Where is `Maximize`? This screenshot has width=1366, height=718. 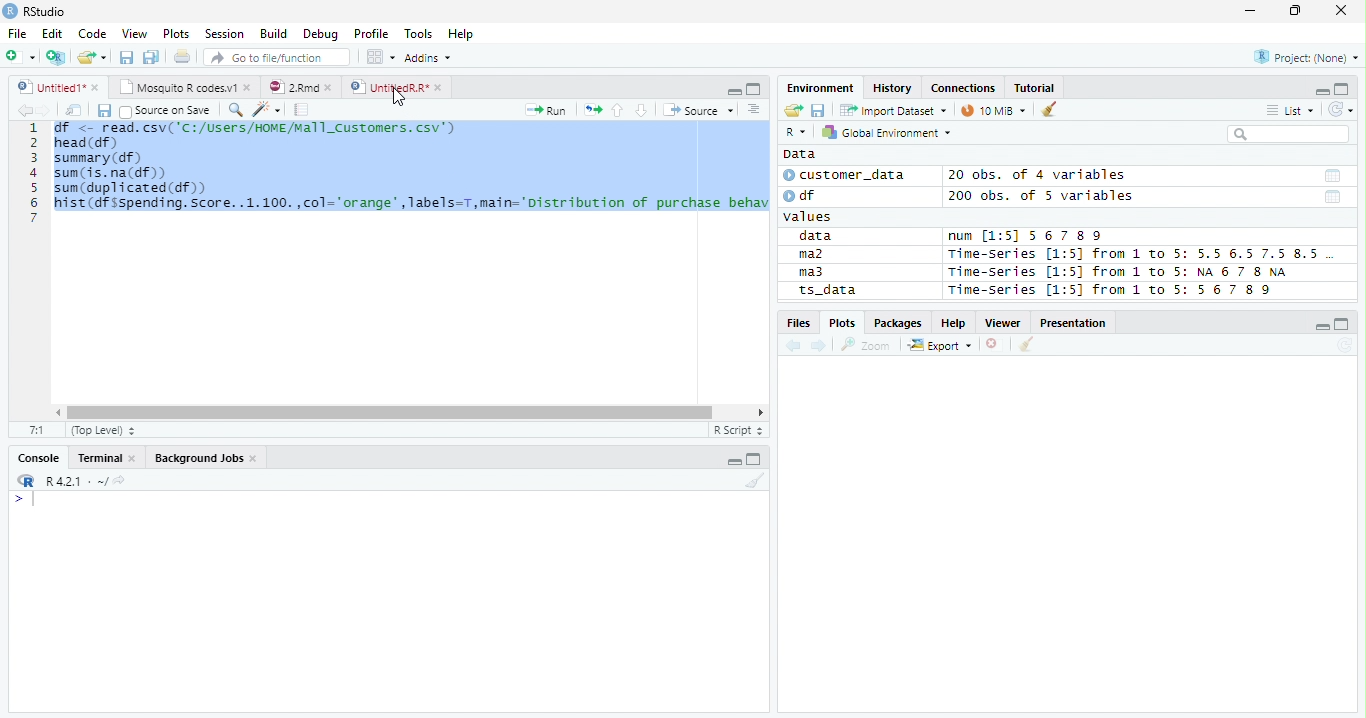
Maximize is located at coordinates (756, 460).